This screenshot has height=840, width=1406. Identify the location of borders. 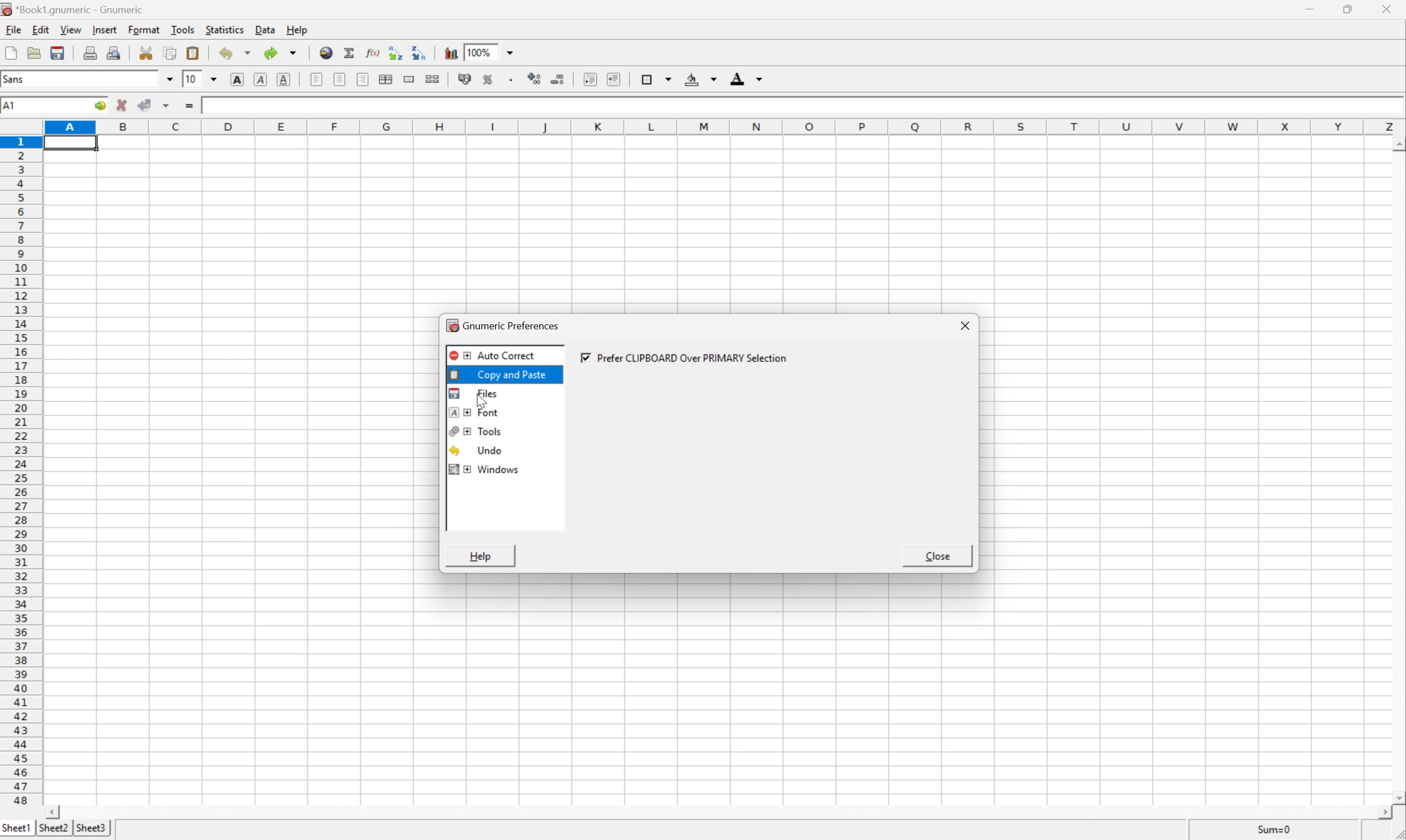
(656, 79).